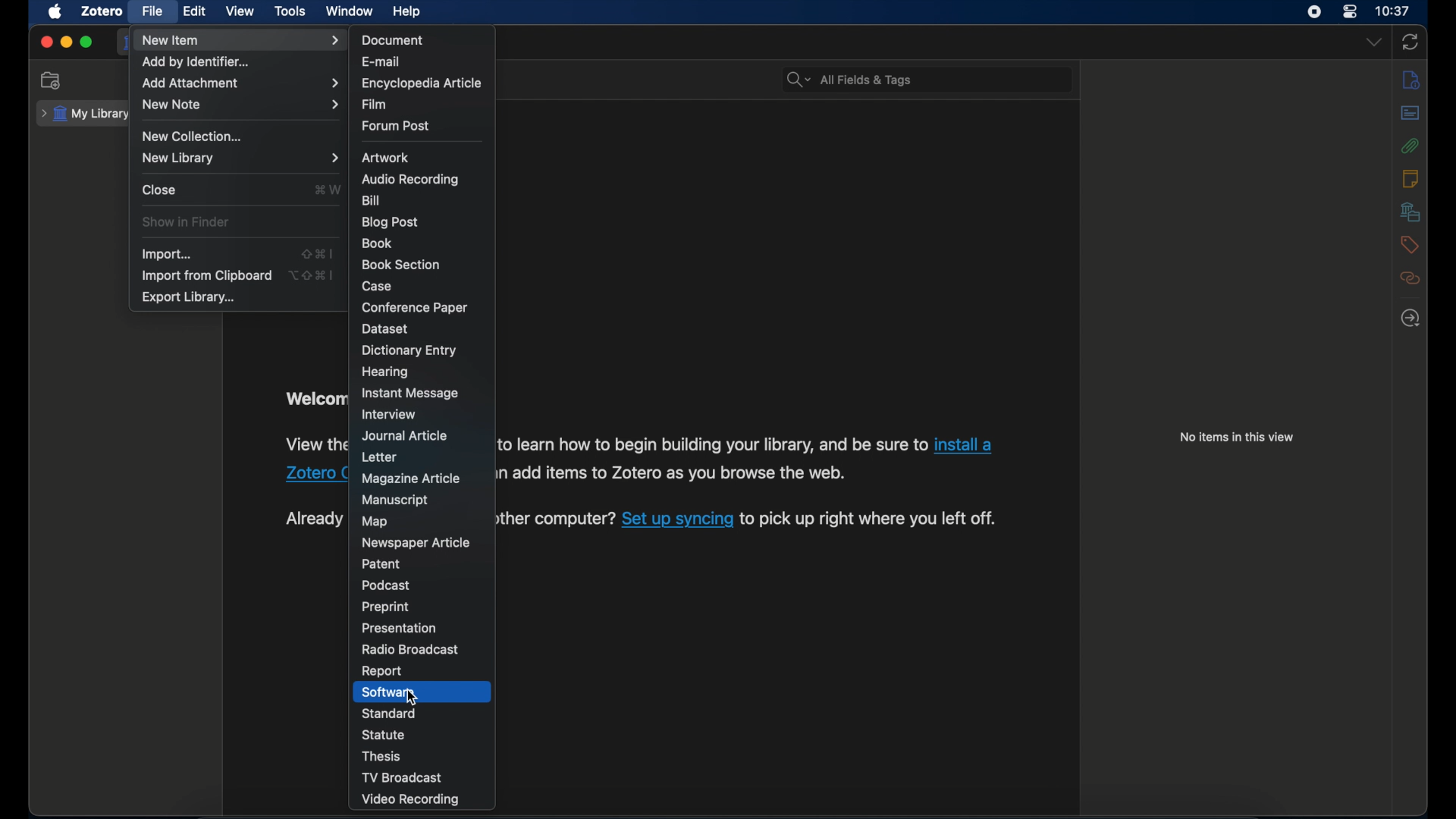  I want to click on dataset, so click(388, 328).